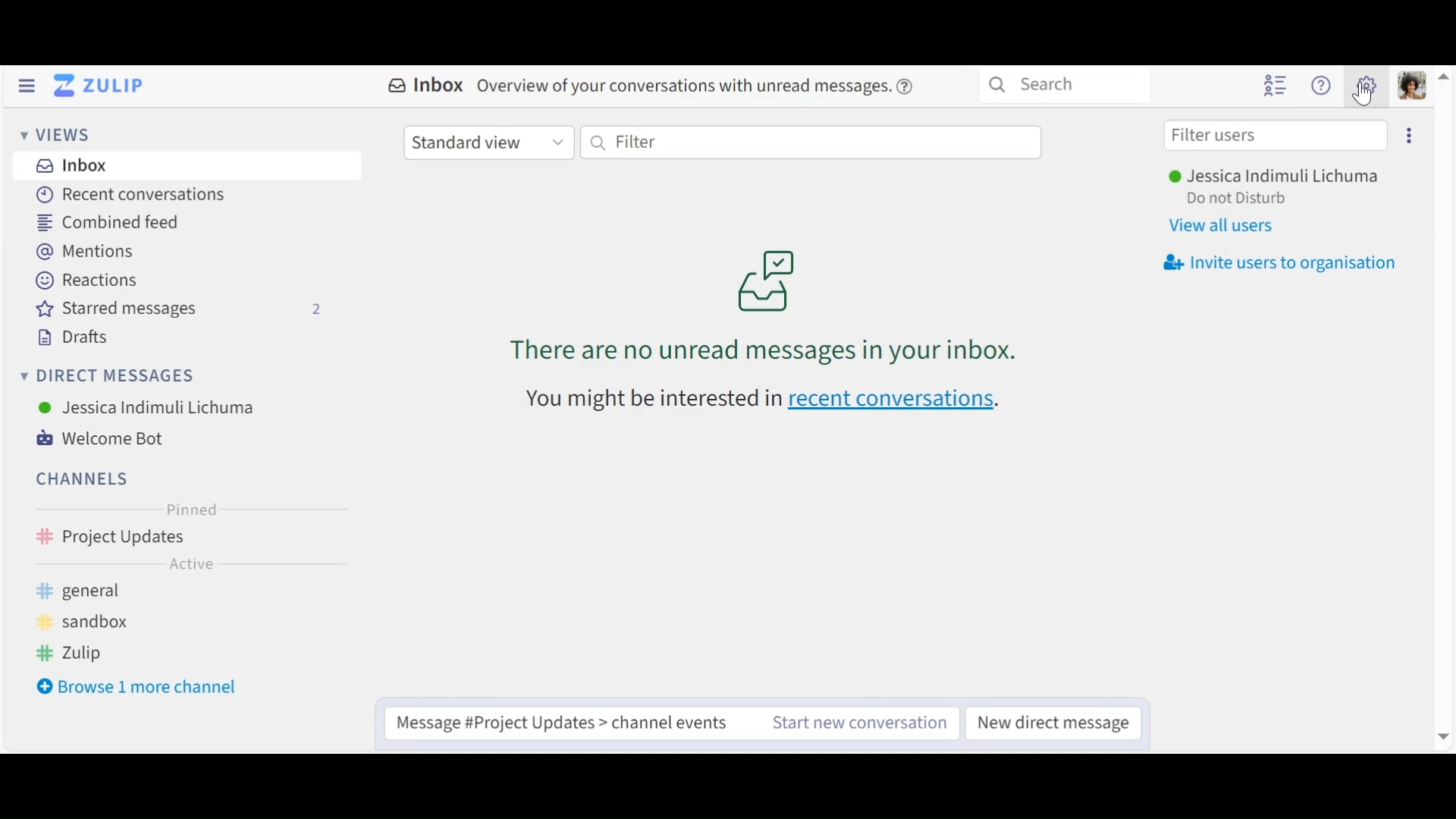 The image size is (1456, 819). Describe the element at coordinates (27, 86) in the screenshot. I see `Hide Left Sidebar` at that location.